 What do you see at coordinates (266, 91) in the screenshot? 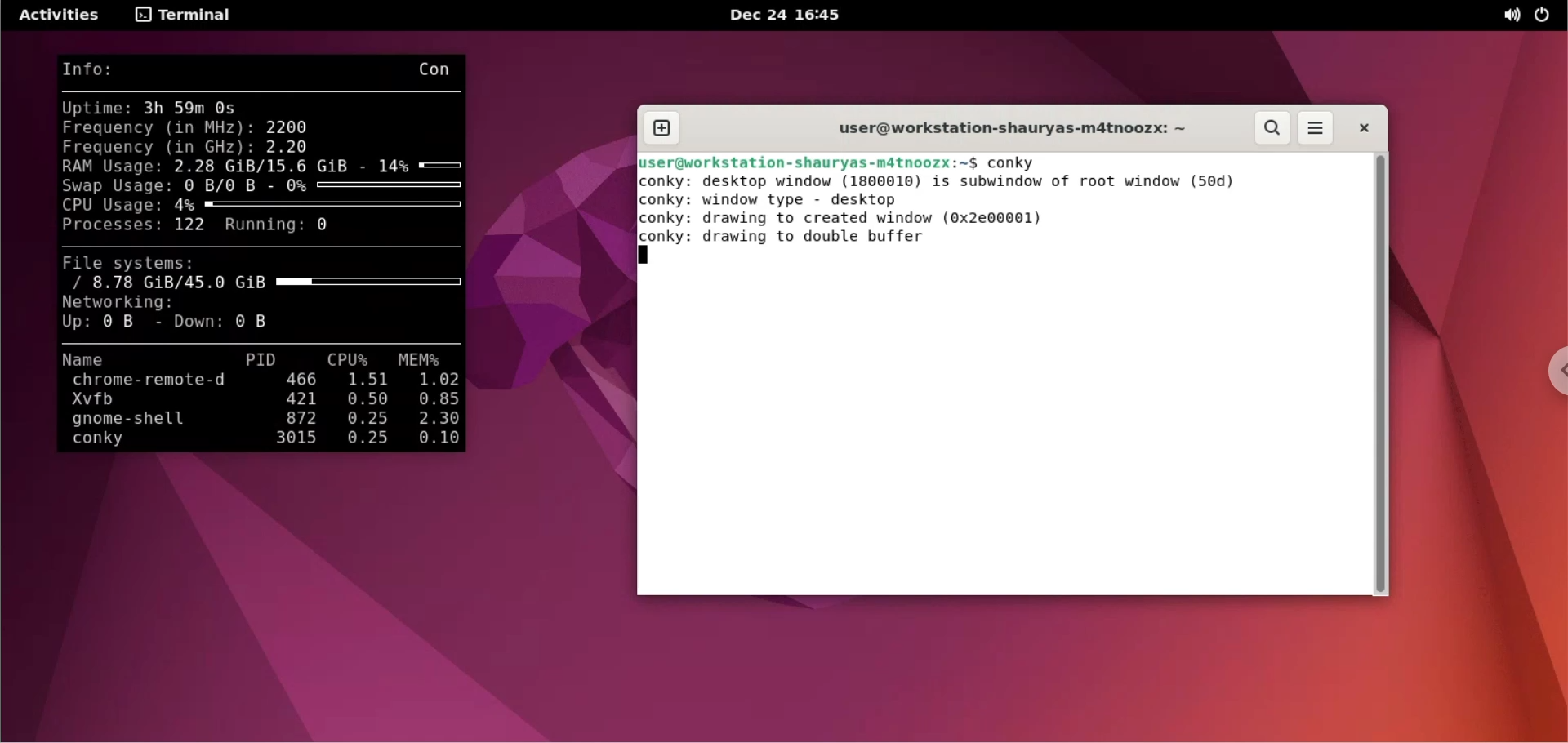
I see `line` at bounding box center [266, 91].